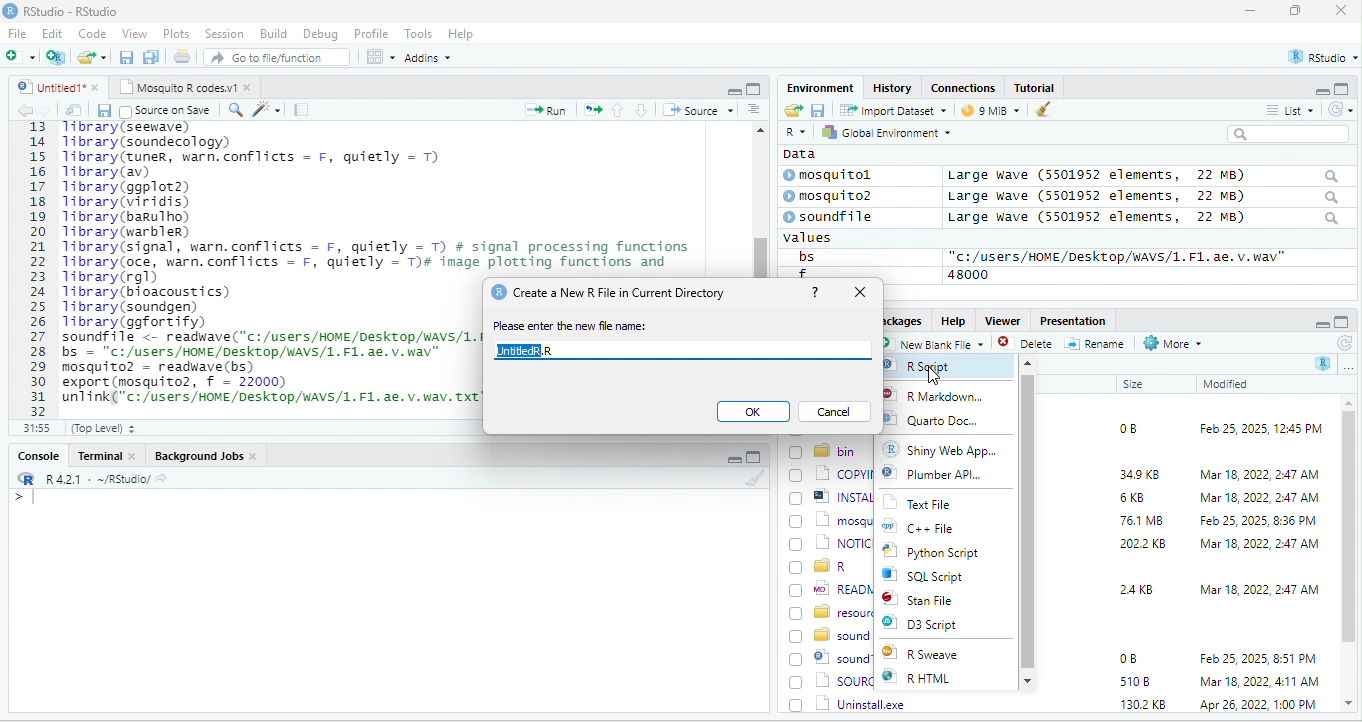 Image resolution: width=1362 pixels, height=722 pixels. Describe the element at coordinates (1028, 344) in the screenshot. I see `Delete` at that location.